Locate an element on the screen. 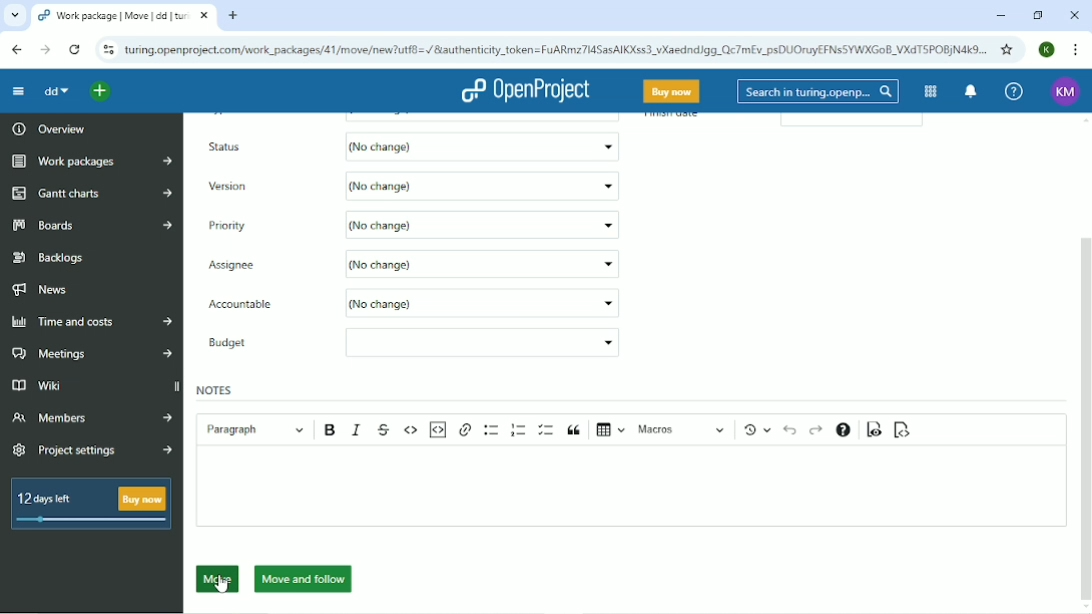 This screenshot has width=1092, height=614. Strikethrough is located at coordinates (384, 430).